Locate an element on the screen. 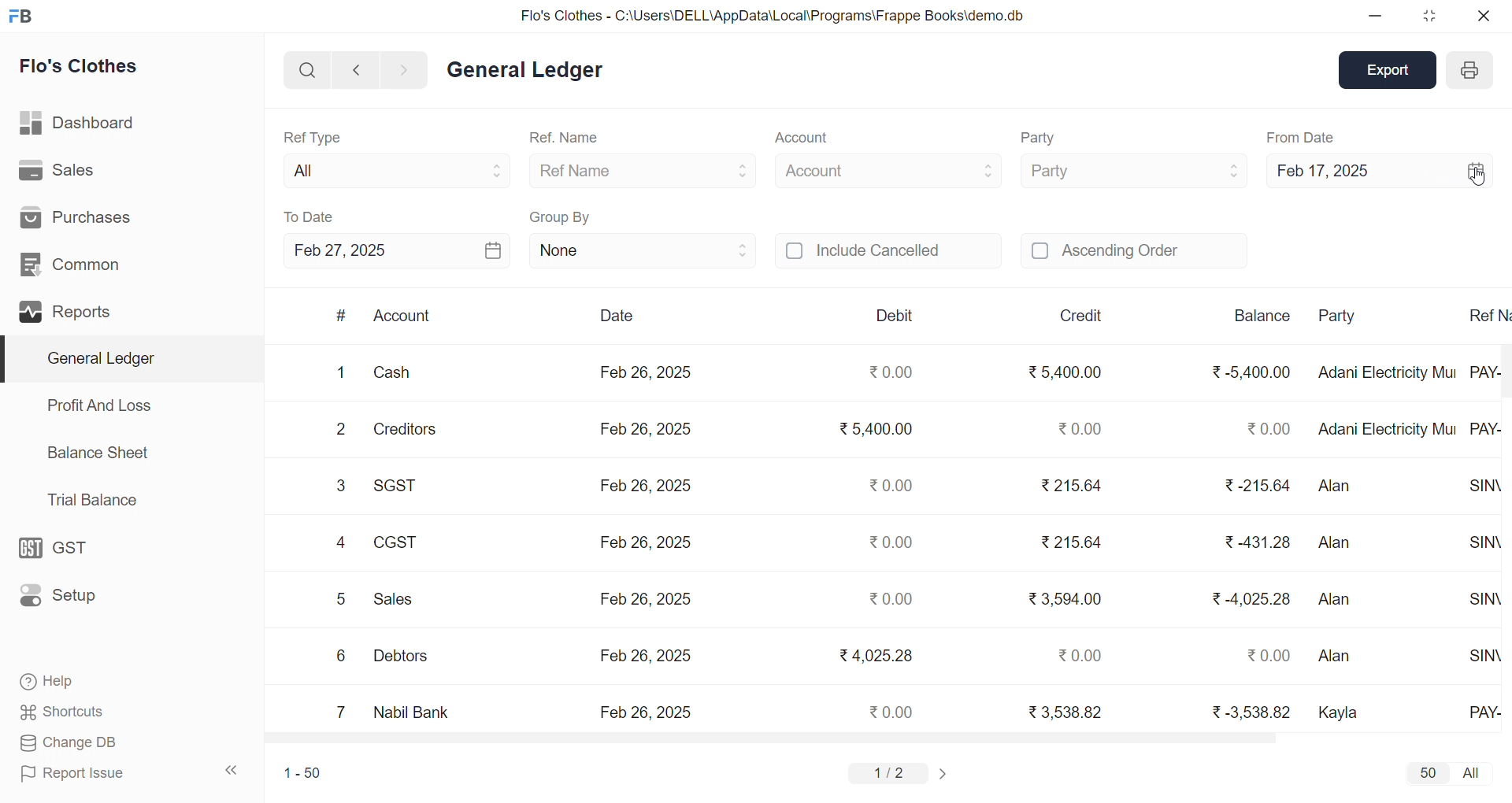 The width and height of the screenshot is (1512, 803). ALL is located at coordinates (1473, 774).